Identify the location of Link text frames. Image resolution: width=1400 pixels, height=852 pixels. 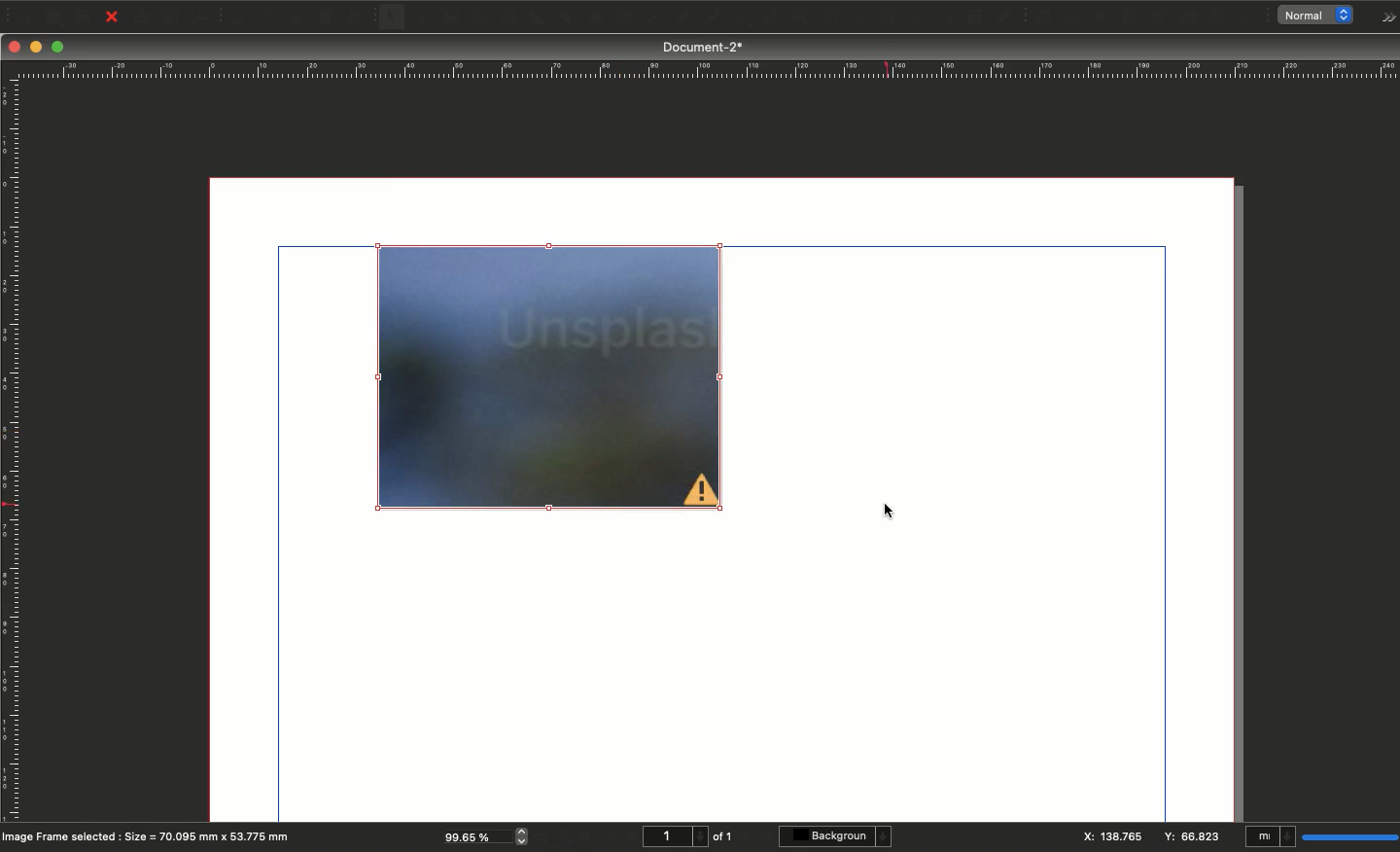
(880, 17).